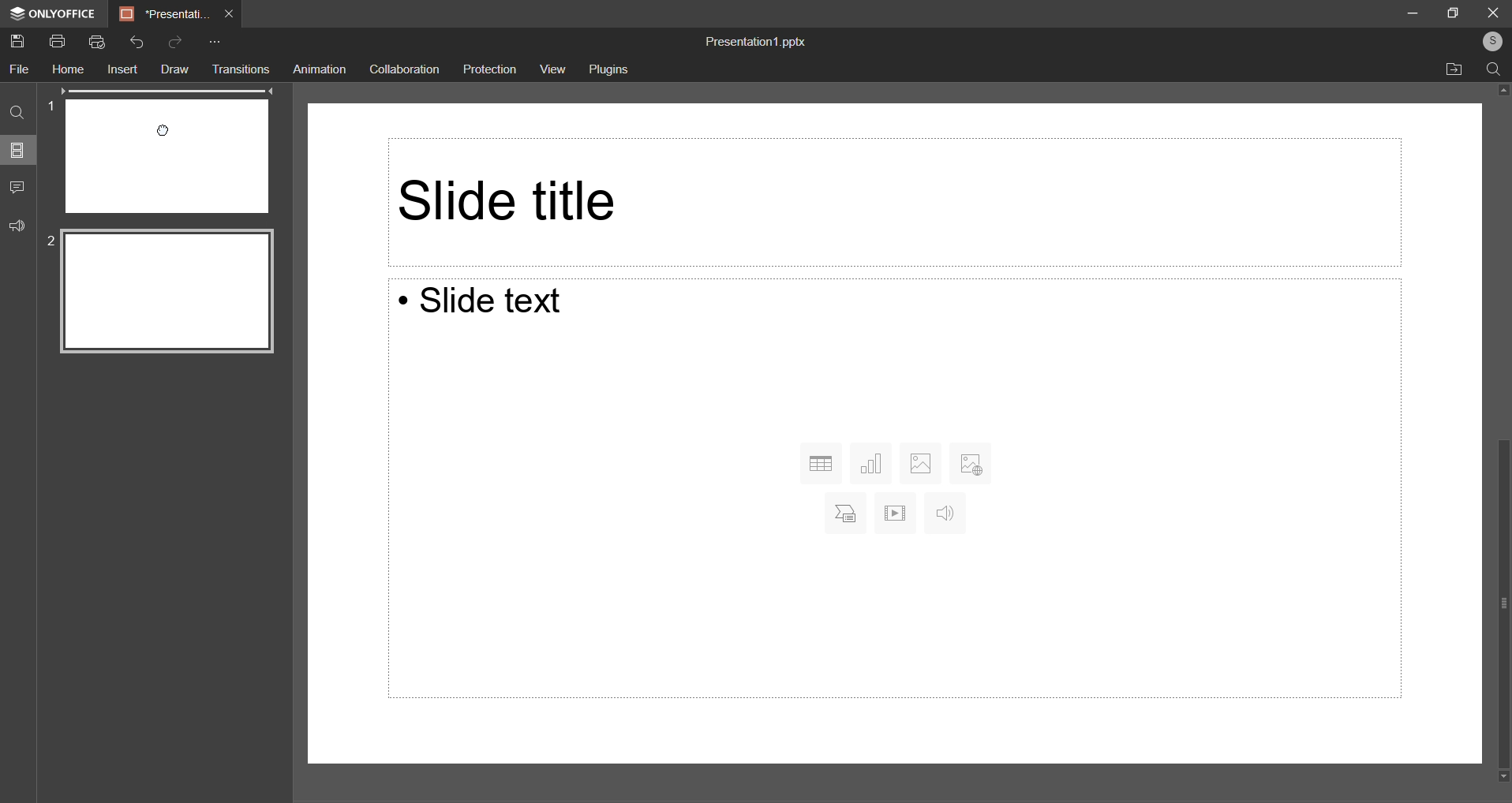 The image size is (1512, 803). I want to click on login, so click(1488, 41).